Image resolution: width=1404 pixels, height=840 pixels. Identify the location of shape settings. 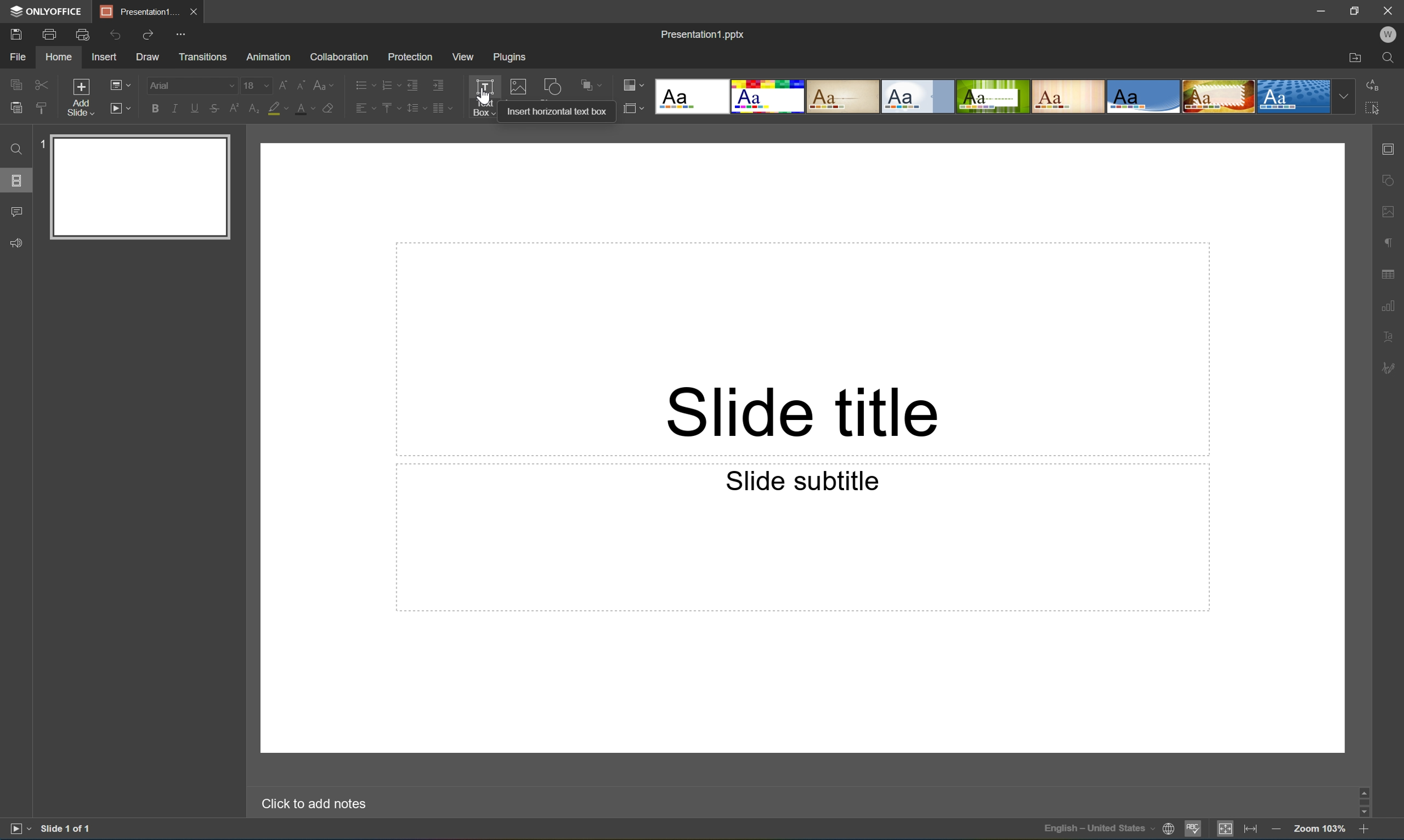
(1390, 181).